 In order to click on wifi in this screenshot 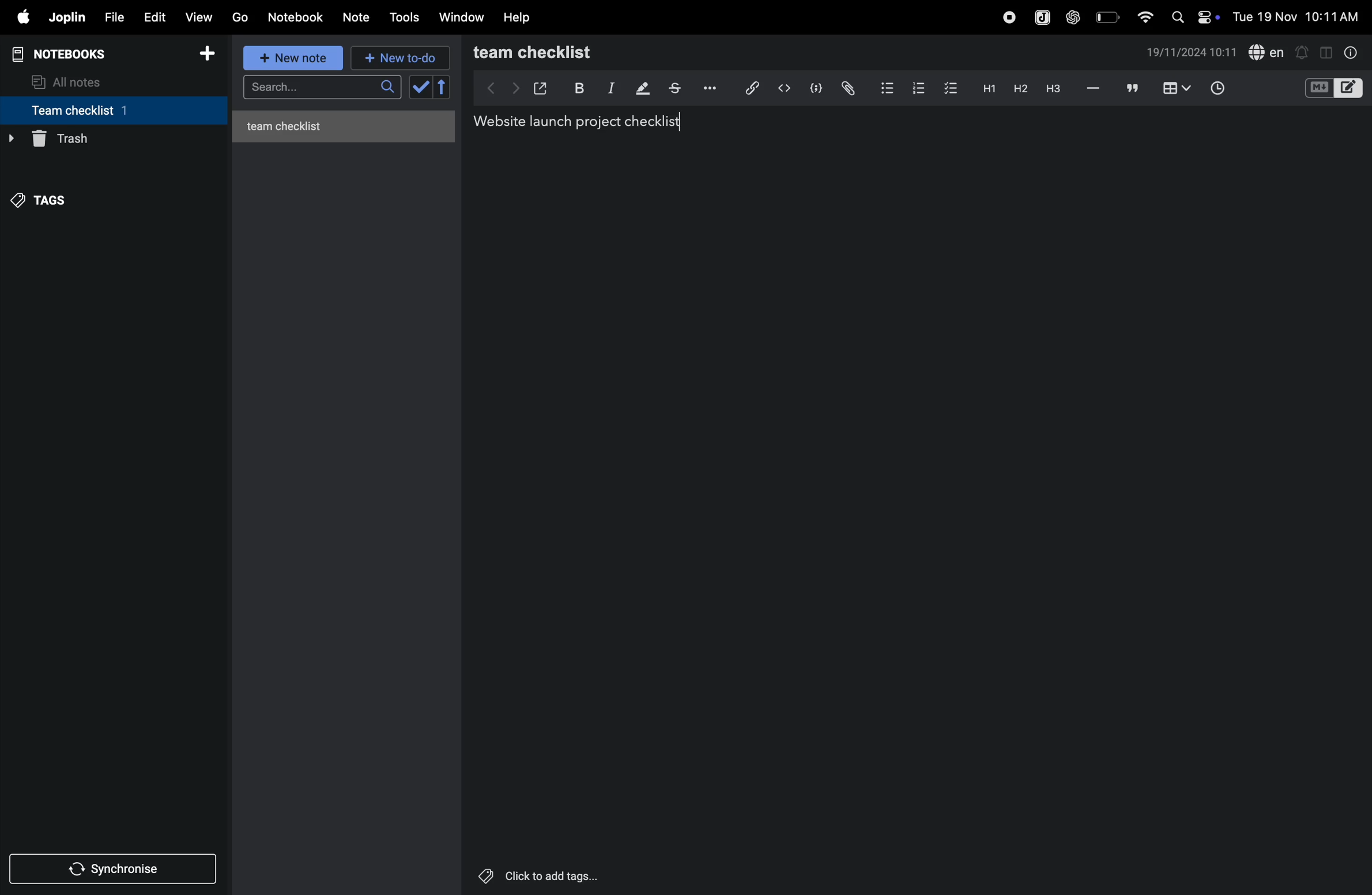, I will do `click(1141, 16)`.